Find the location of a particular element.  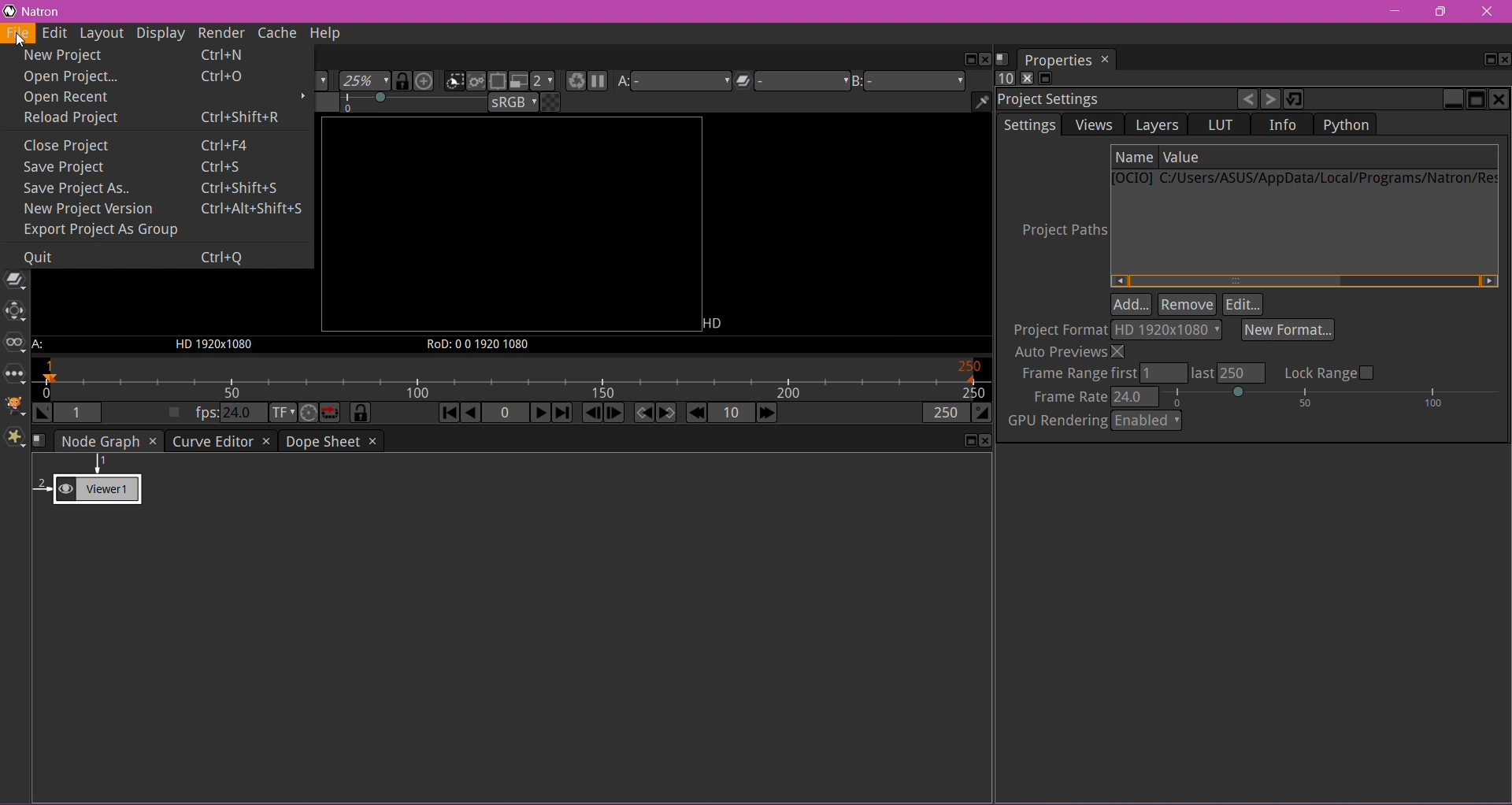

Title bar color change on click is located at coordinates (758, 10).